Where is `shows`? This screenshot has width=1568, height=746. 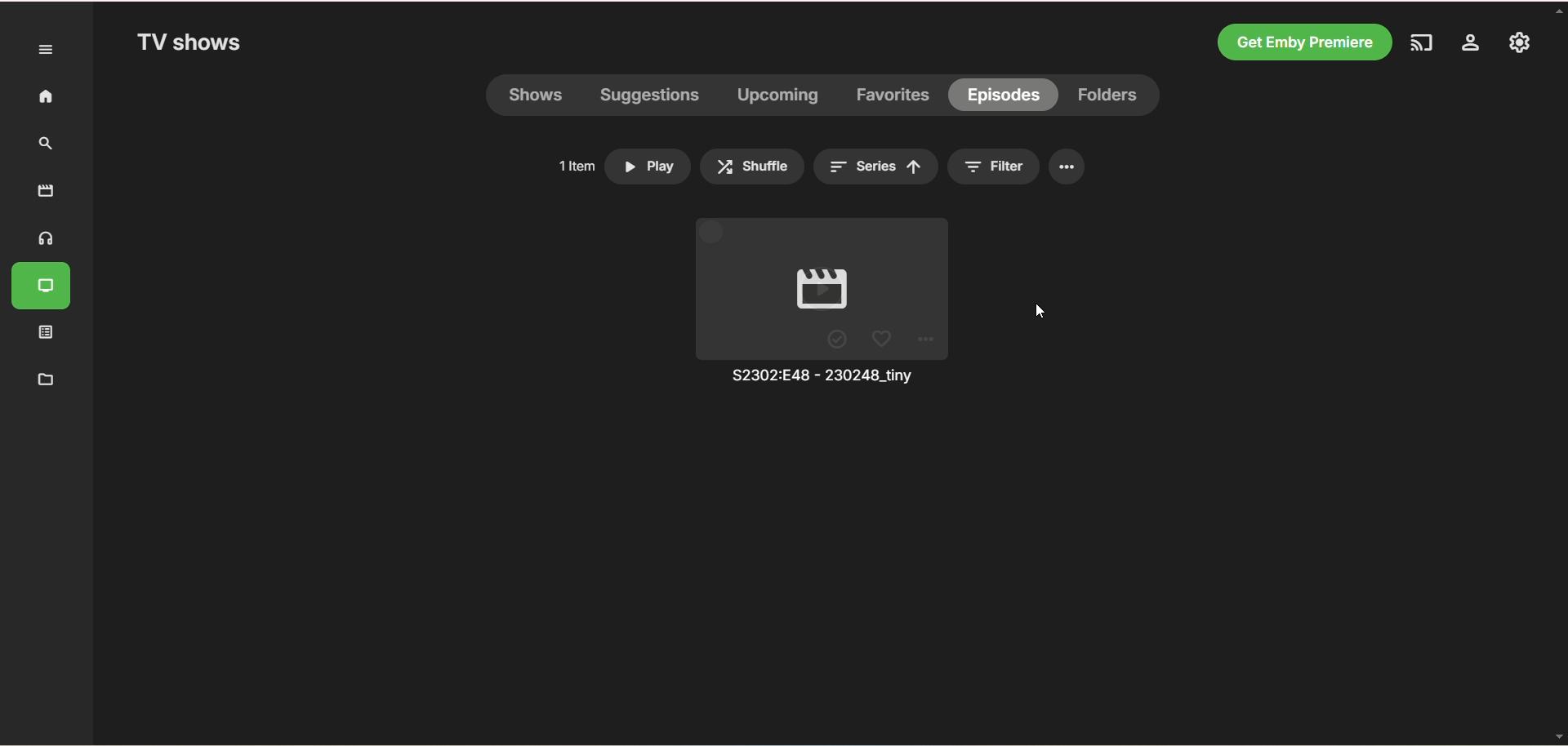 shows is located at coordinates (535, 97).